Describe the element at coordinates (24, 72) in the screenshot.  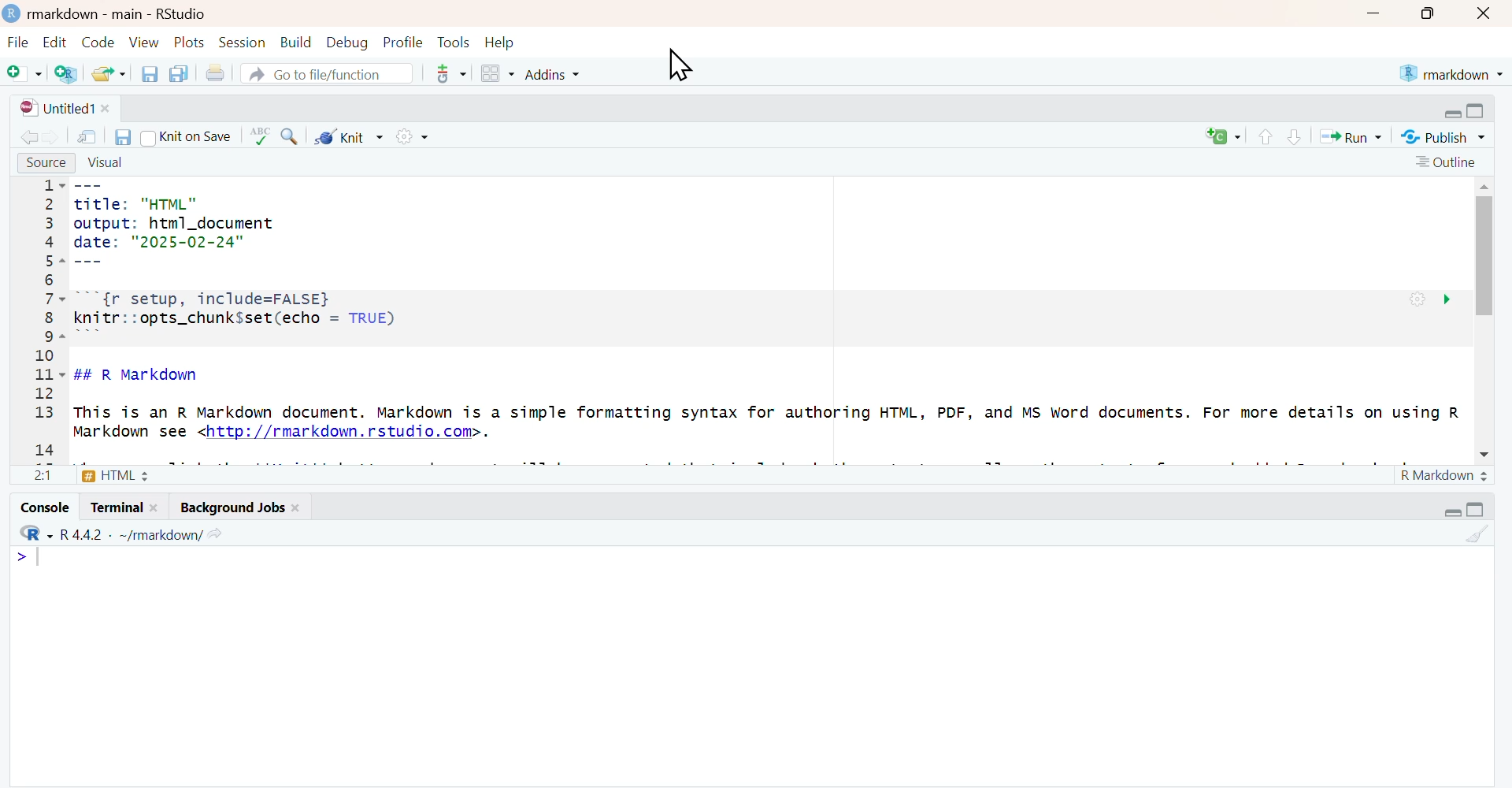
I see `New file` at that location.